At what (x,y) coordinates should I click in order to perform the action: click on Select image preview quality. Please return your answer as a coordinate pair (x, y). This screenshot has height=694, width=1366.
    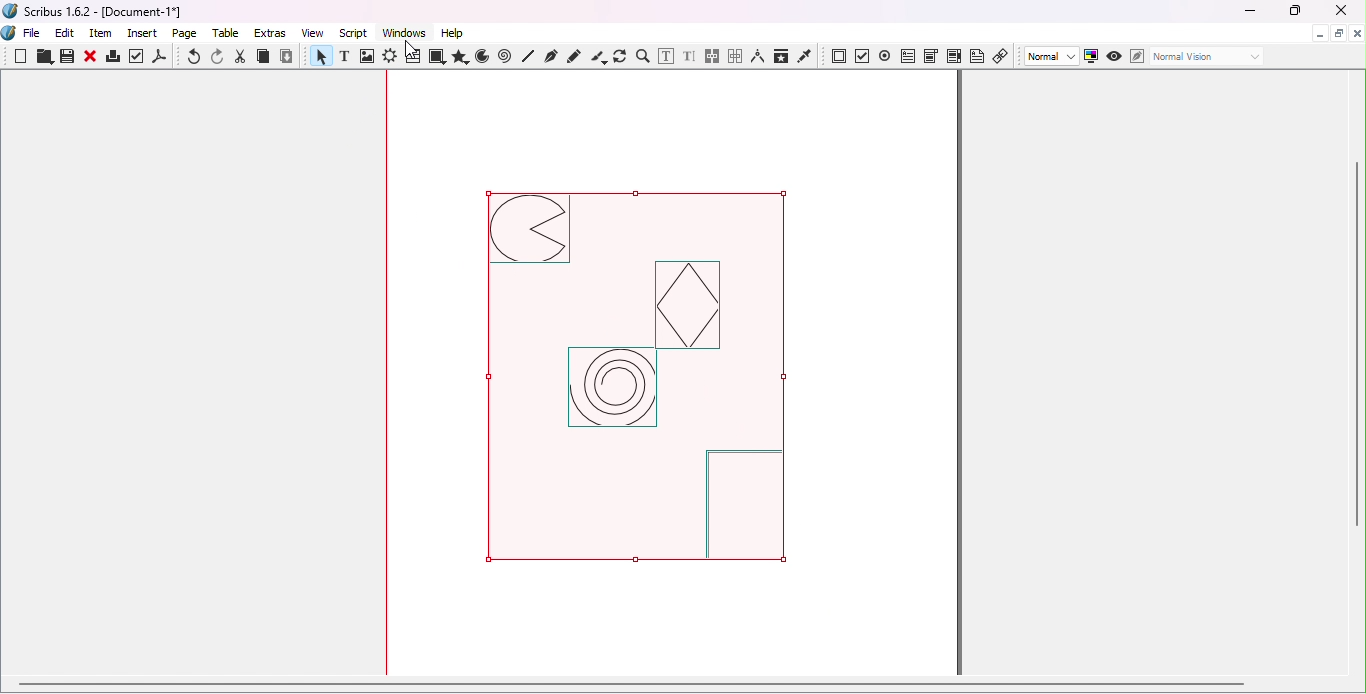
    Looking at the image, I should click on (1053, 57).